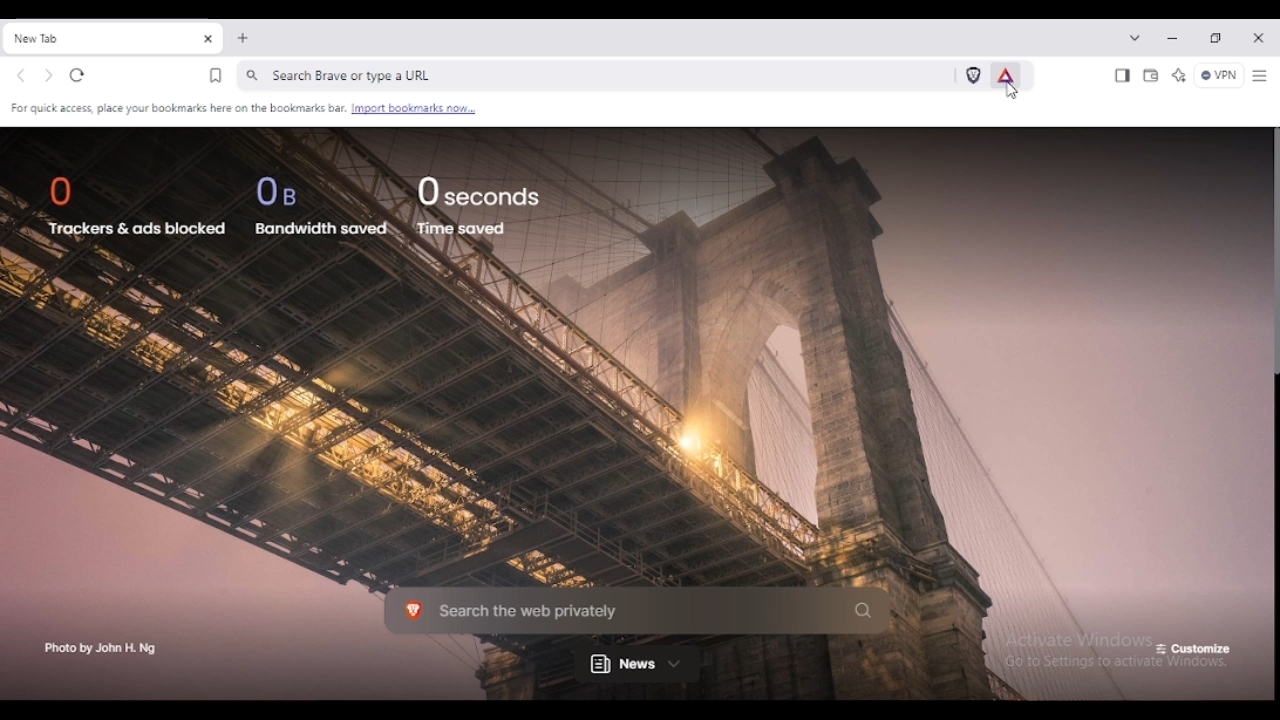 Image resolution: width=1280 pixels, height=720 pixels. Describe the element at coordinates (637, 664) in the screenshot. I see `news` at that location.